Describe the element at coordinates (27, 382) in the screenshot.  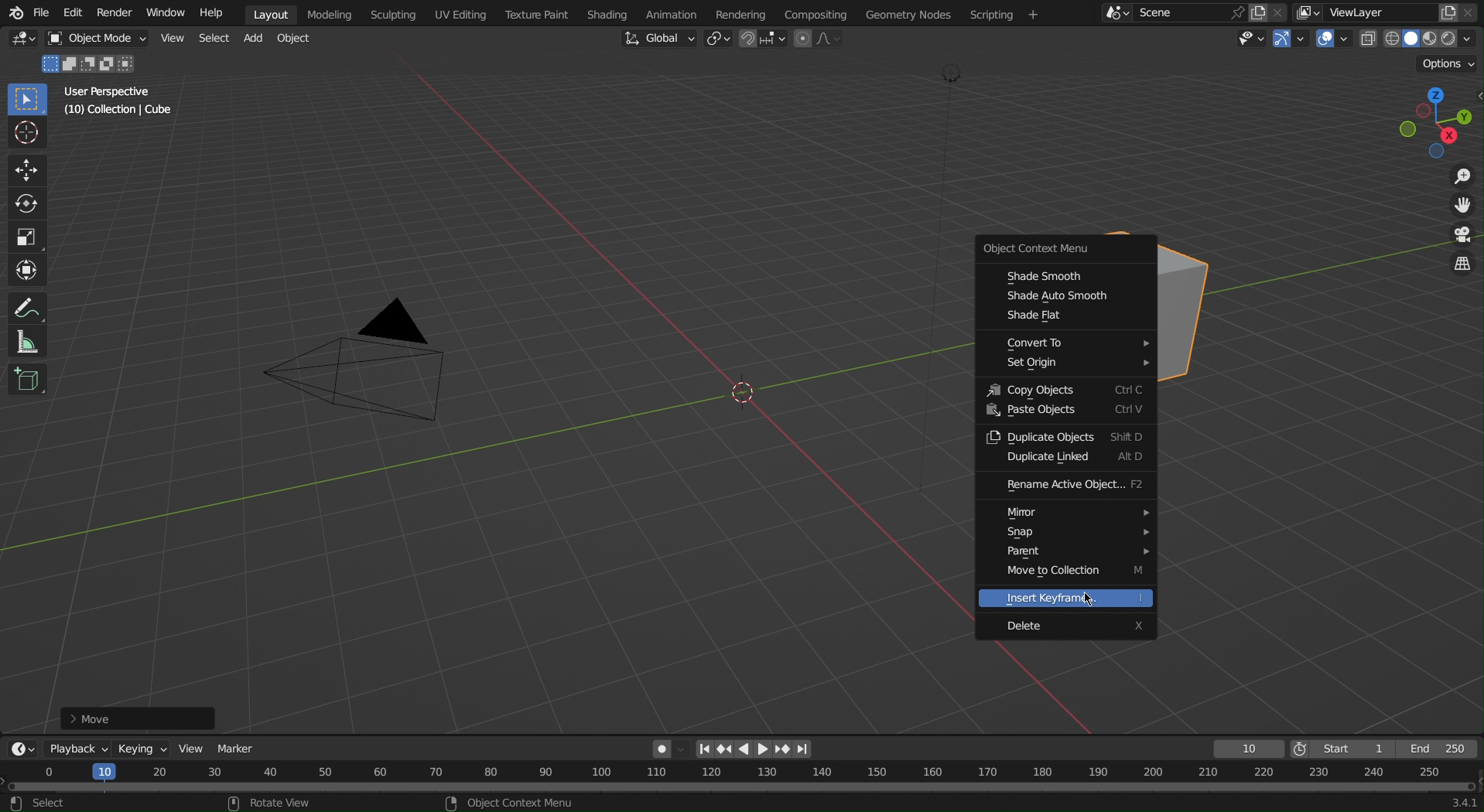
I see `Cube` at that location.